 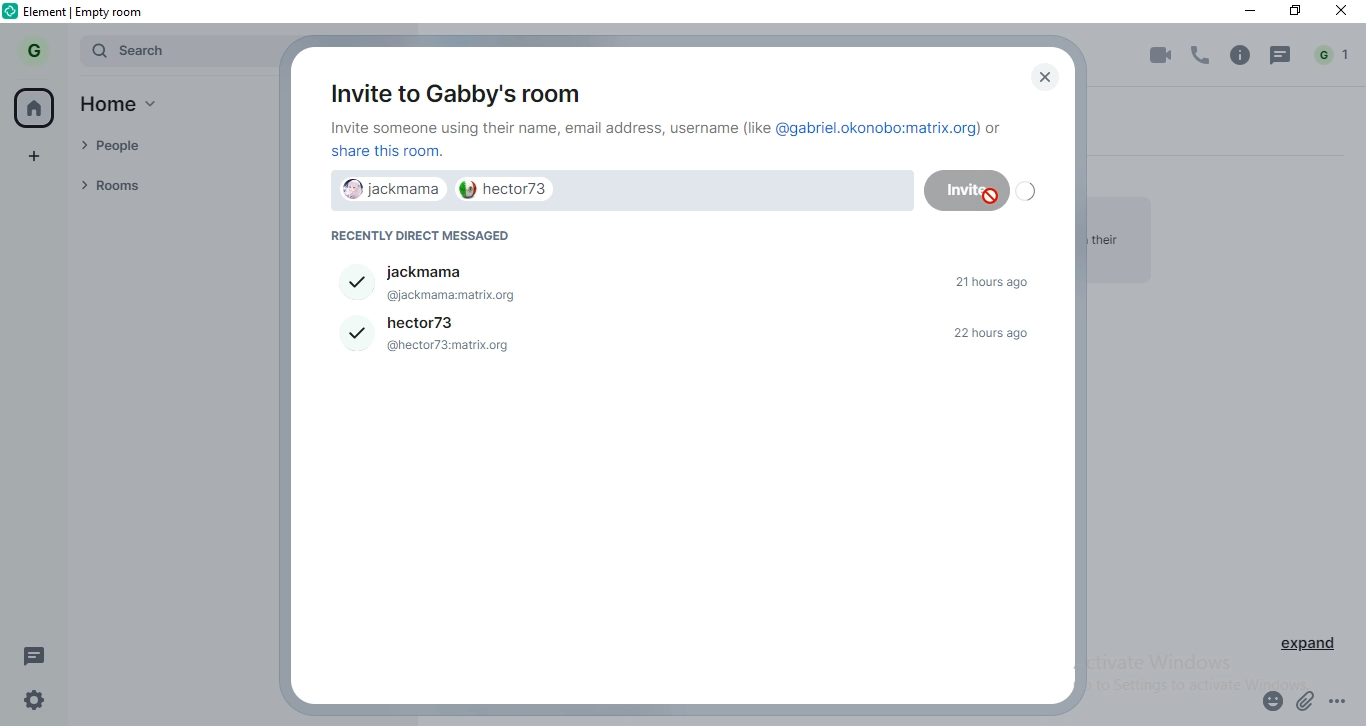 I want to click on people, so click(x=163, y=148).